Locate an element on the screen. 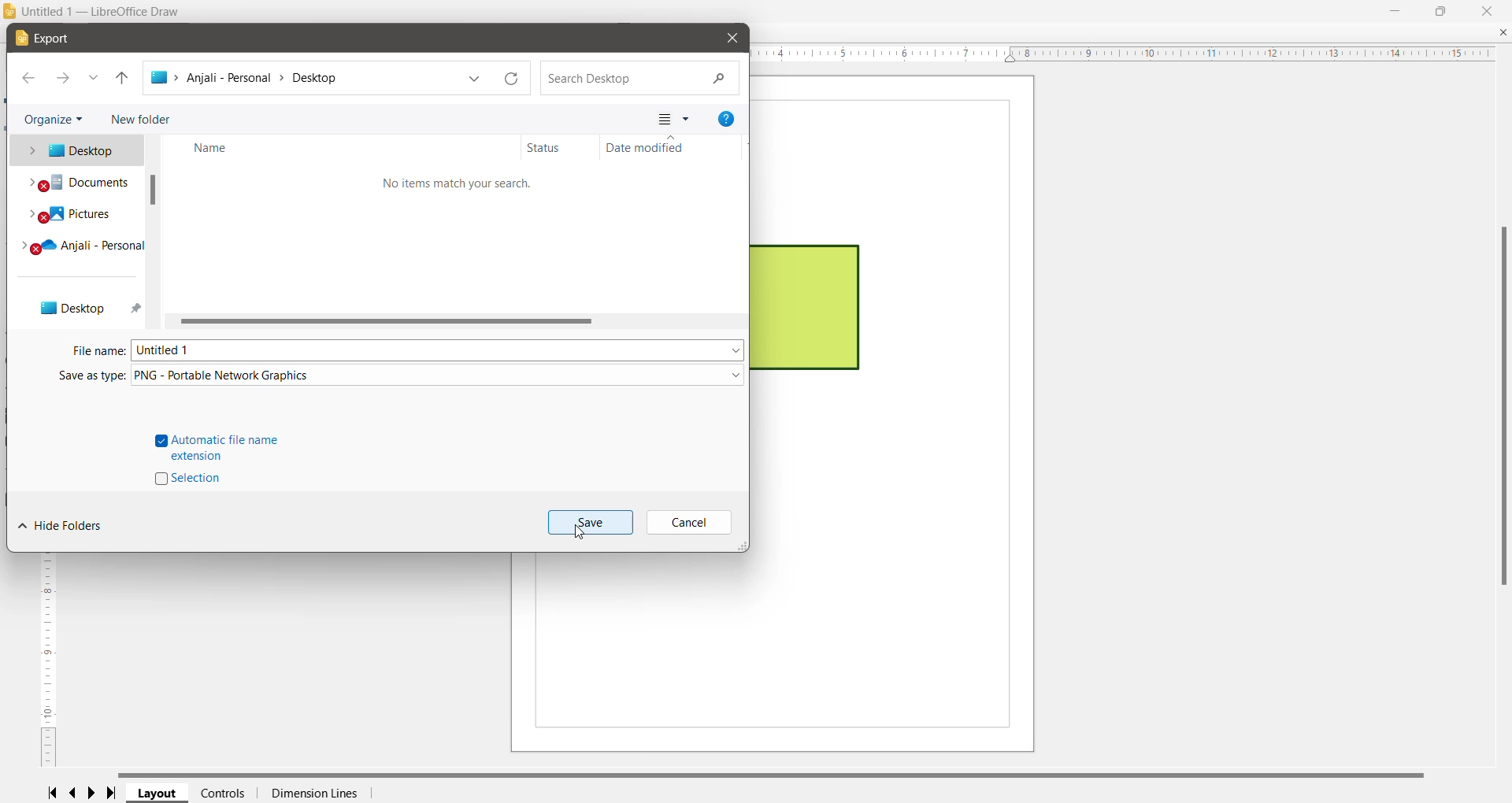 The width and height of the screenshot is (1512, 803). Scroll to next page is located at coordinates (95, 793).